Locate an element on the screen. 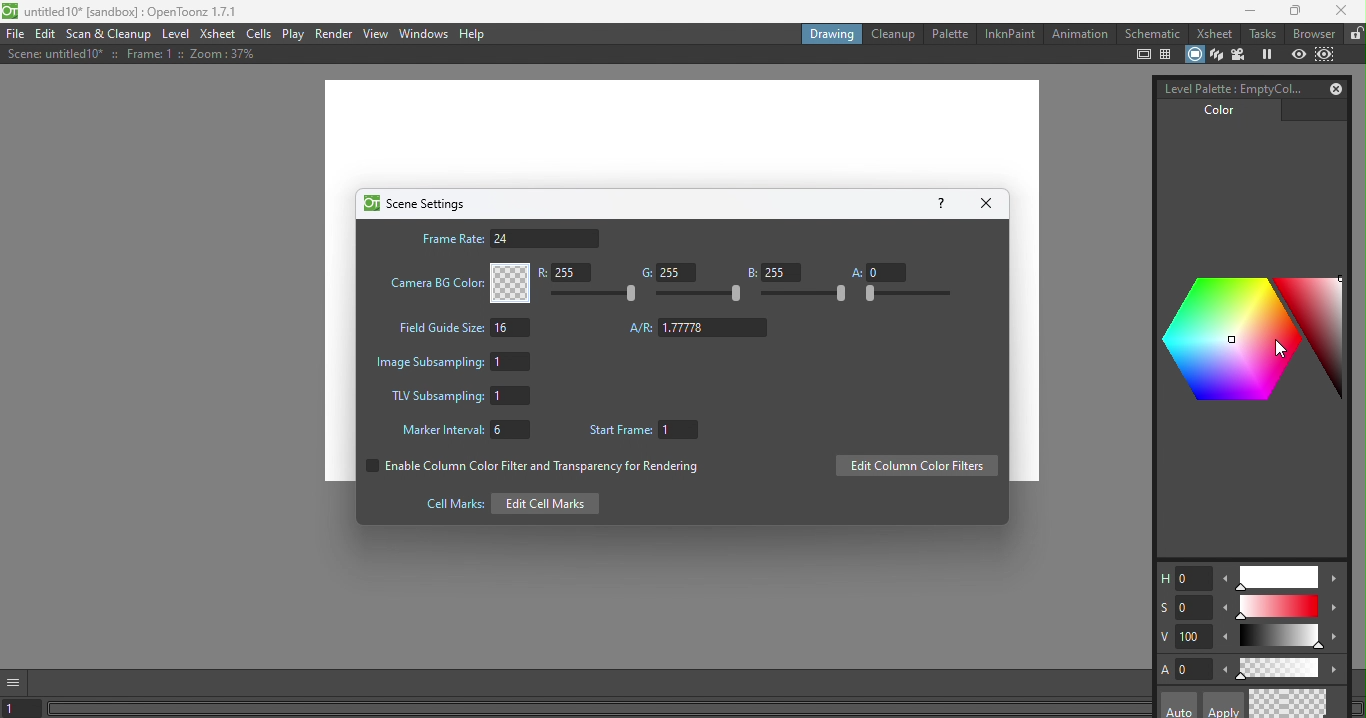  Slide bar is located at coordinates (598, 294).